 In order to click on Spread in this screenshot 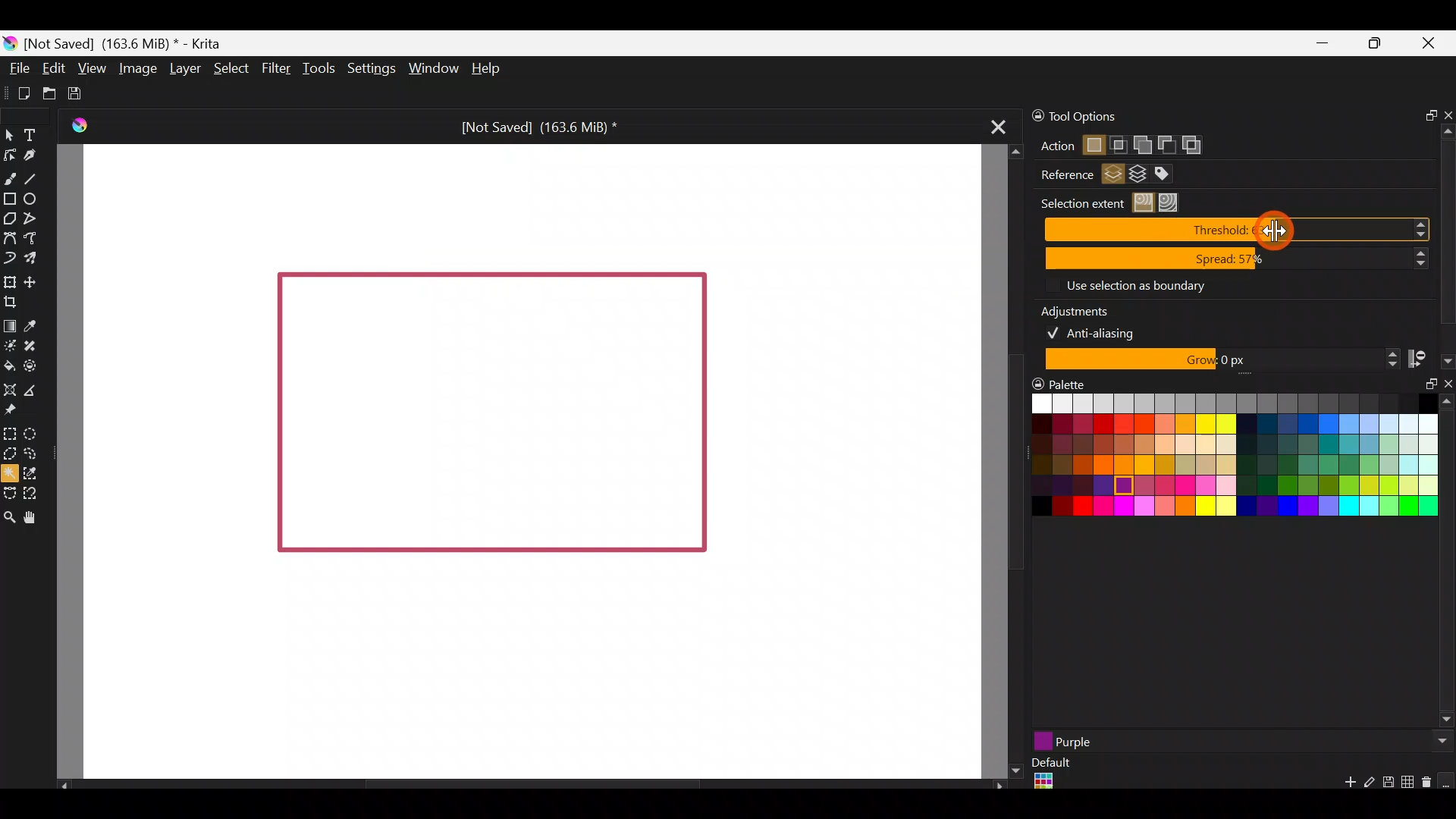, I will do `click(1237, 259)`.